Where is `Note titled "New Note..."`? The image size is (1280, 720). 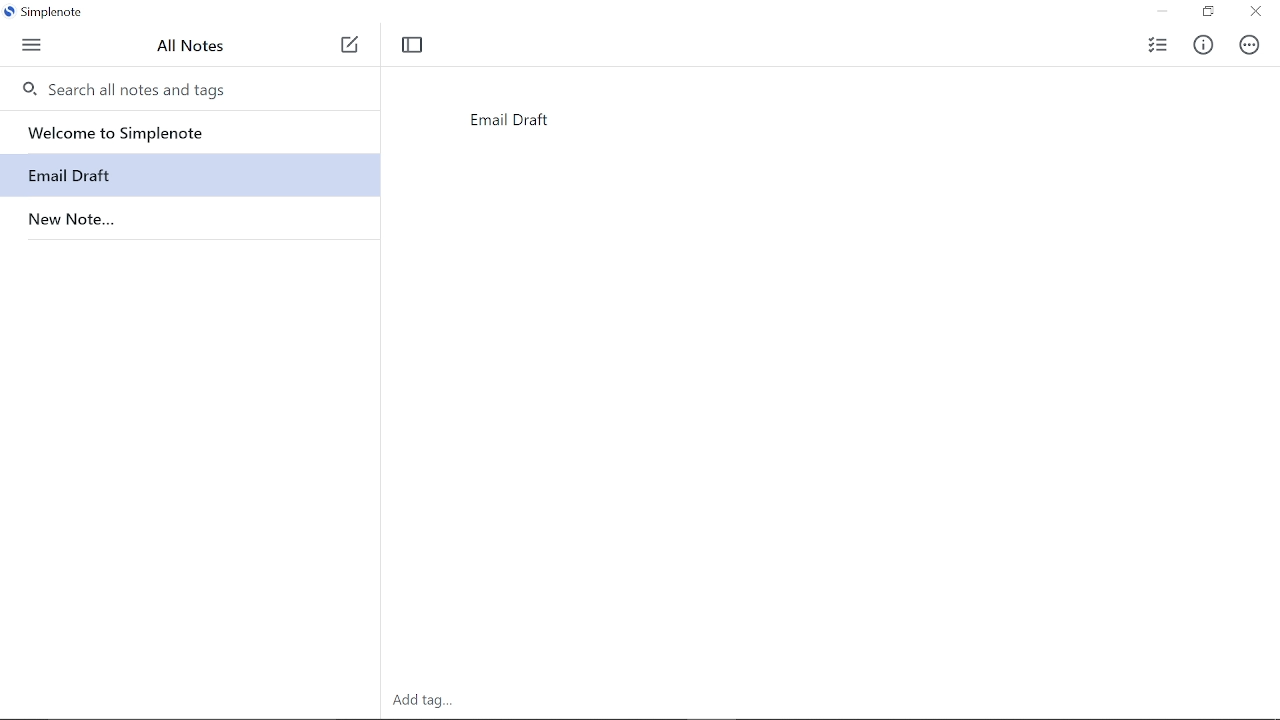 Note titled "New Note..." is located at coordinates (69, 215).